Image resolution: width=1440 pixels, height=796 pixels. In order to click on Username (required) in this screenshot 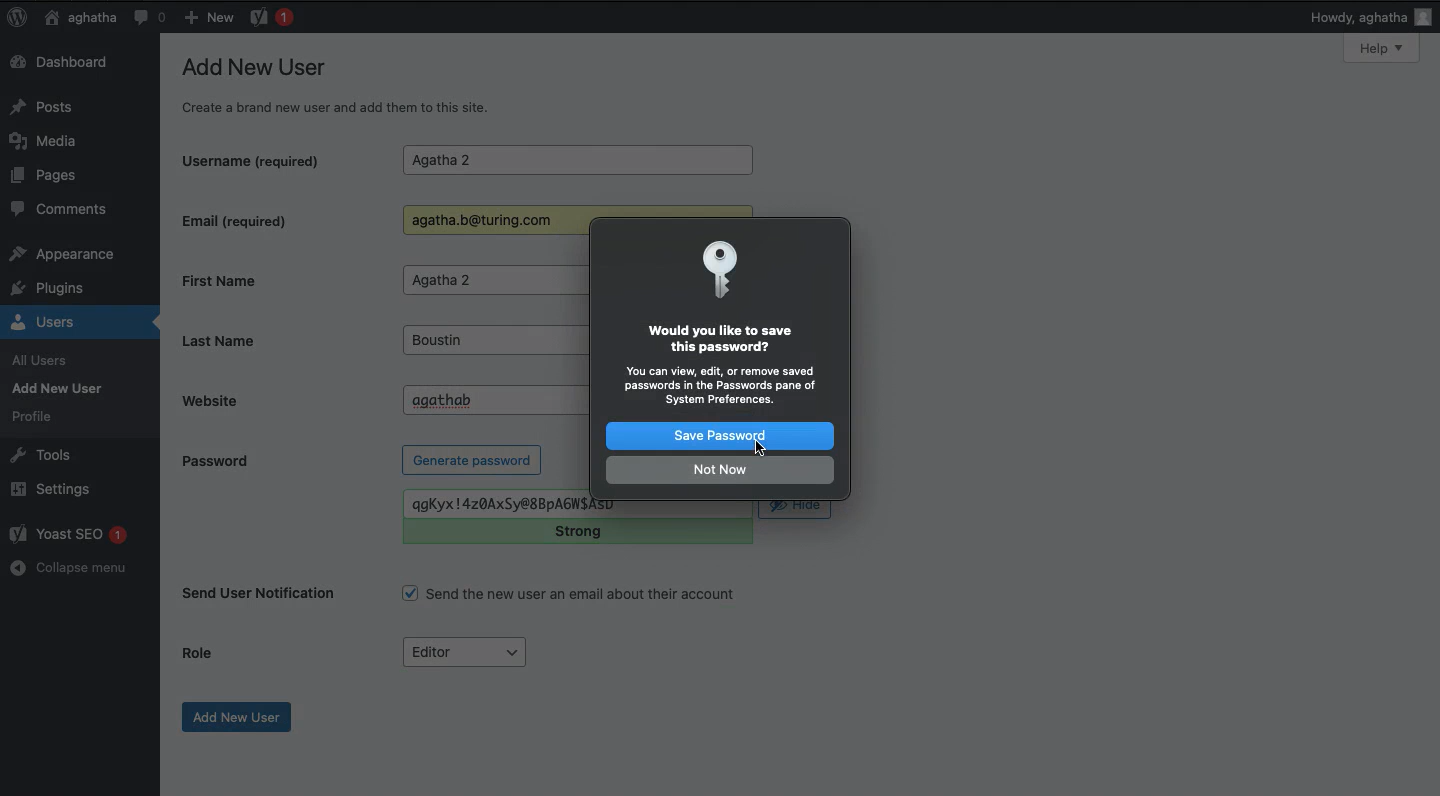, I will do `click(269, 159)`.